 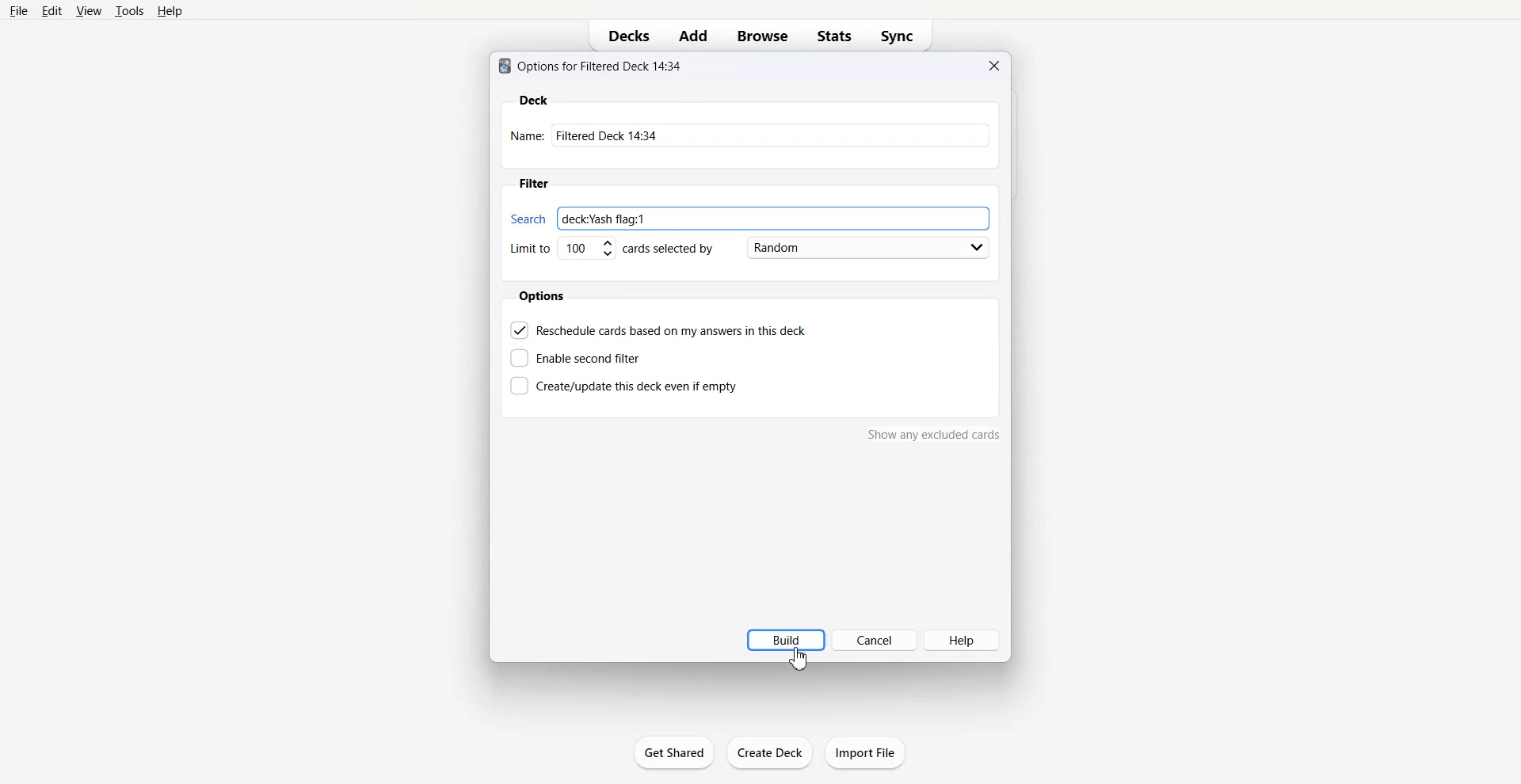 What do you see at coordinates (169, 10) in the screenshot?
I see `Help` at bounding box center [169, 10].